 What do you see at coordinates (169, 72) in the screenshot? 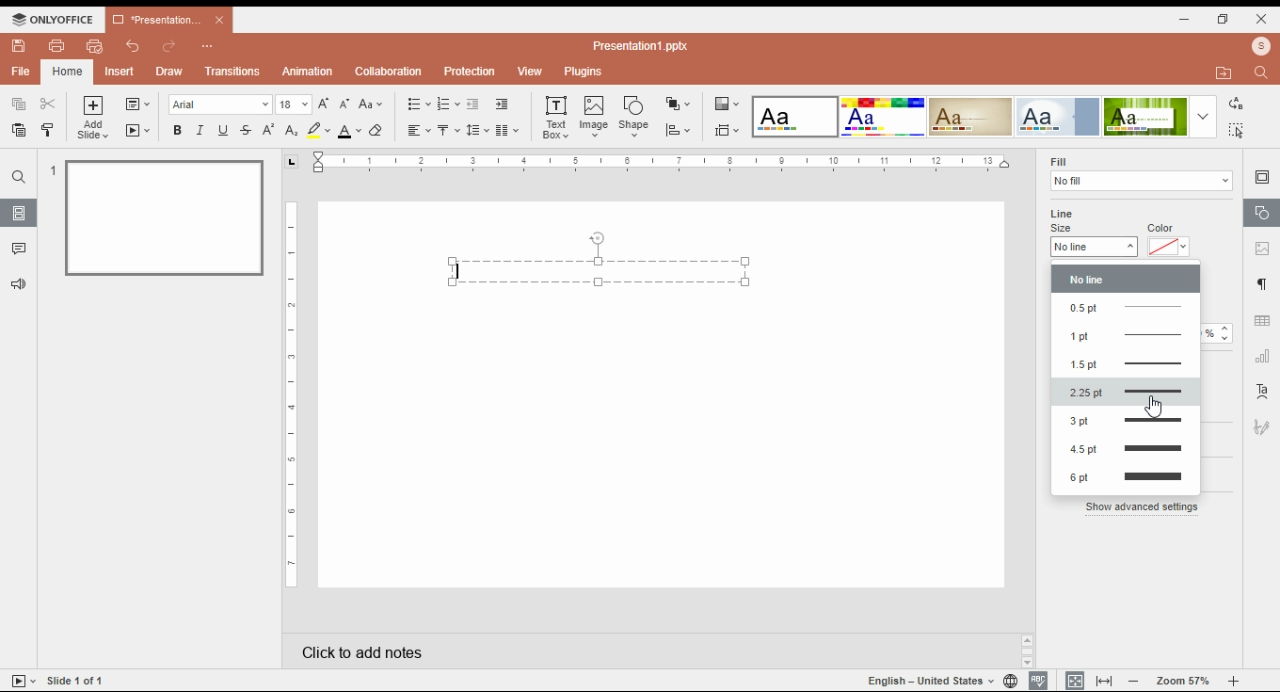
I see `draw` at bounding box center [169, 72].